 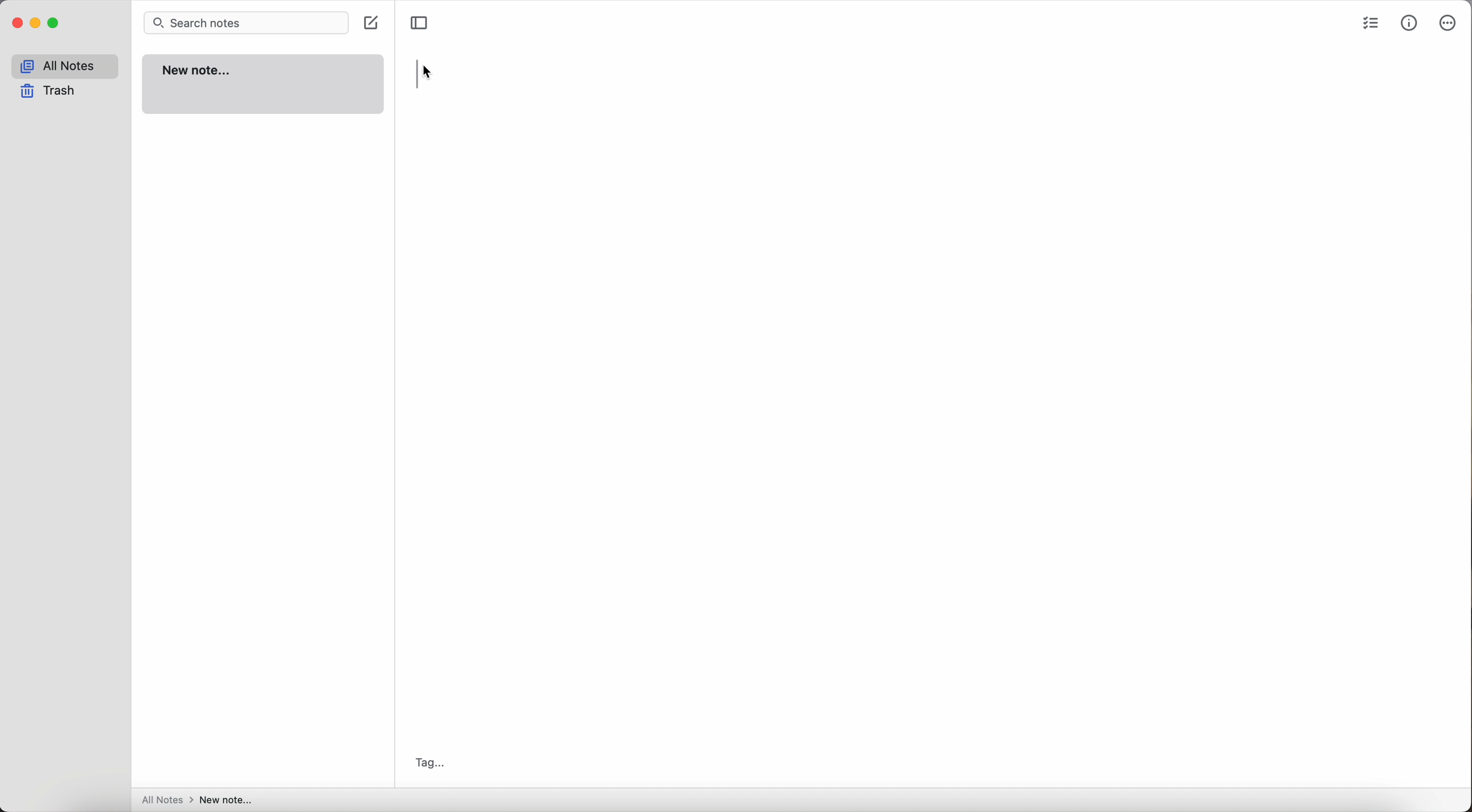 I want to click on trash, so click(x=48, y=92).